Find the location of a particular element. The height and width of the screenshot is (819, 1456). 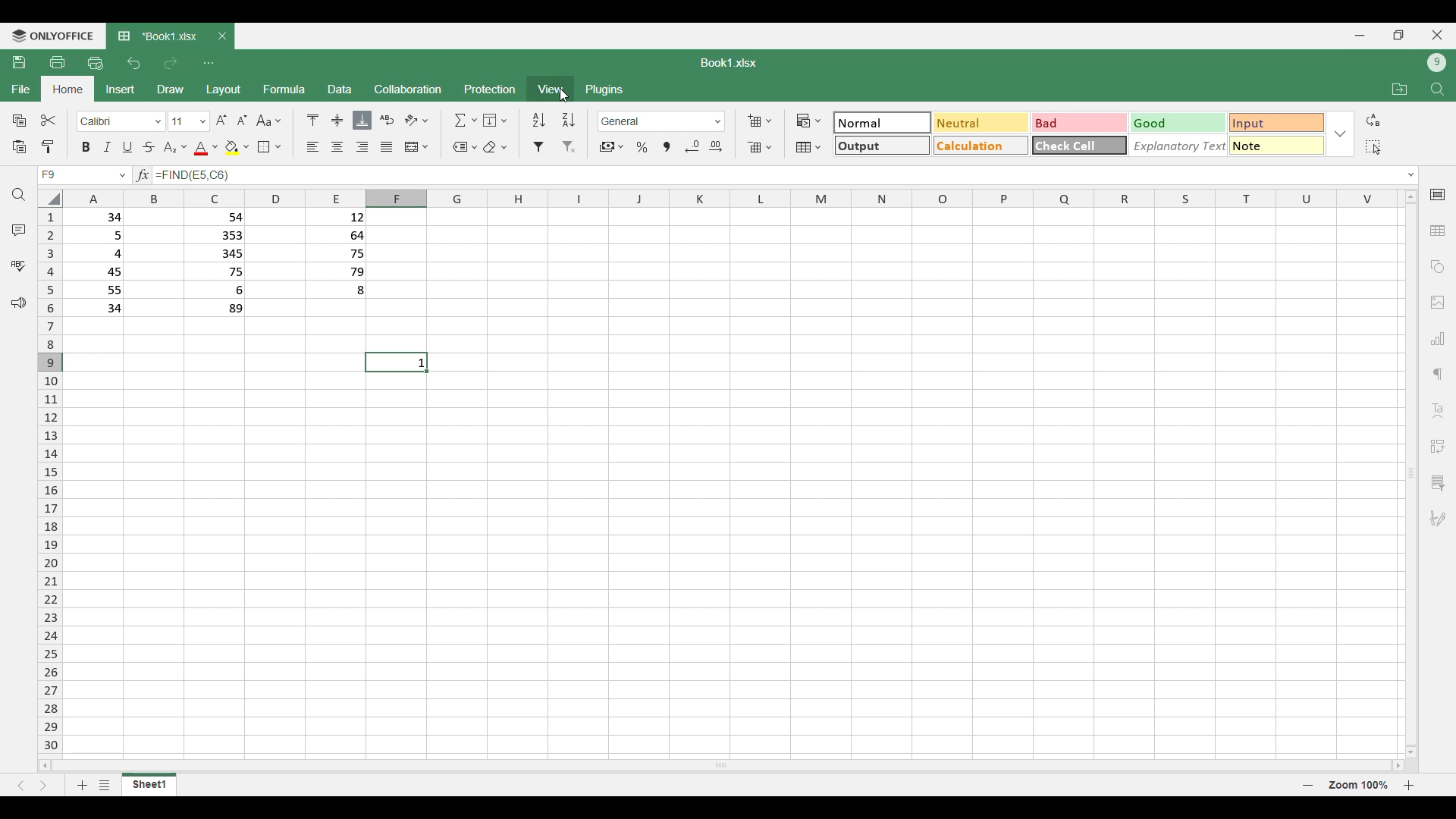

Current sheet: sheet1 is located at coordinates (150, 787).